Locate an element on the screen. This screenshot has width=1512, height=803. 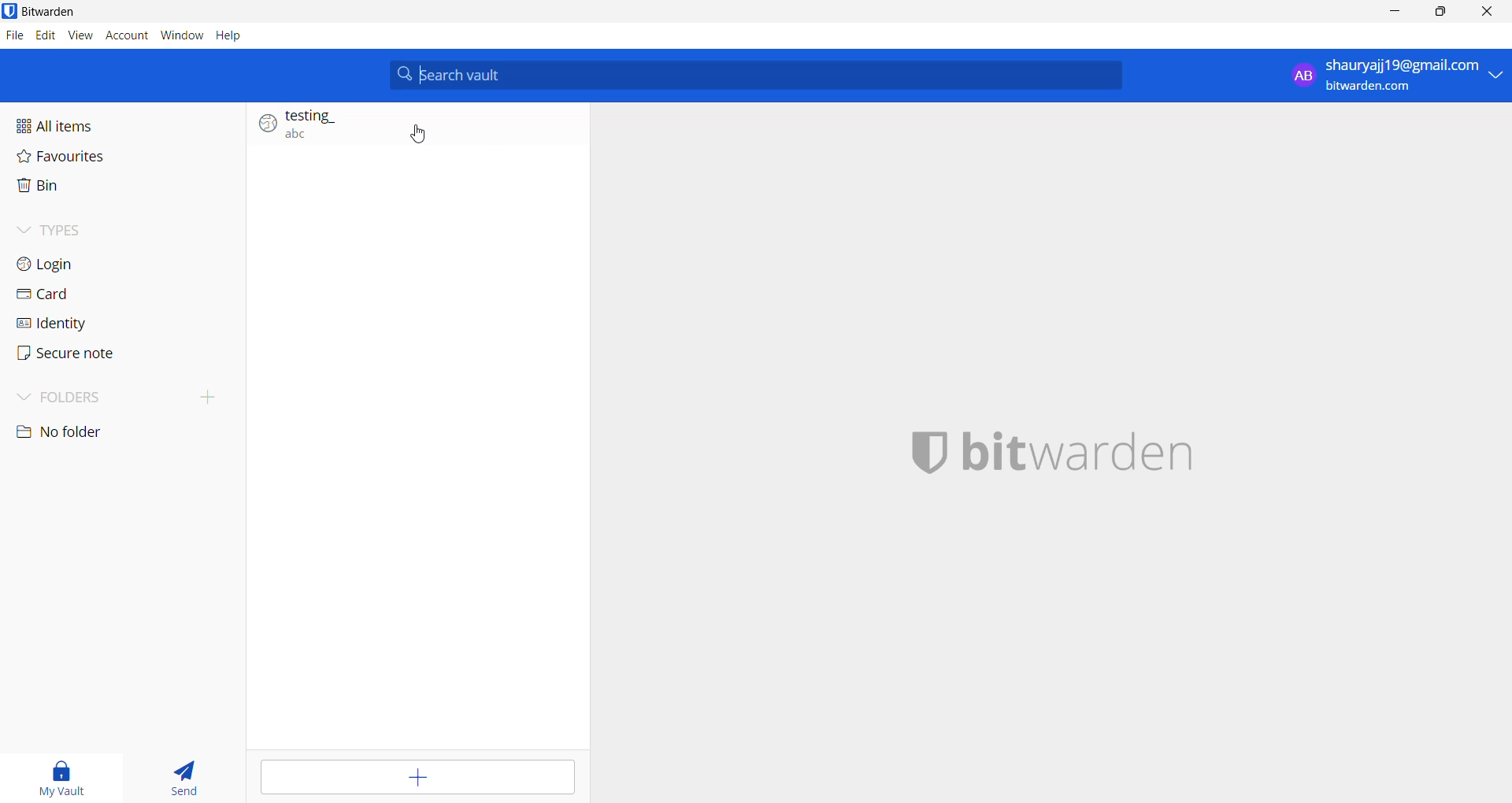
Card is located at coordinates (108, 295).